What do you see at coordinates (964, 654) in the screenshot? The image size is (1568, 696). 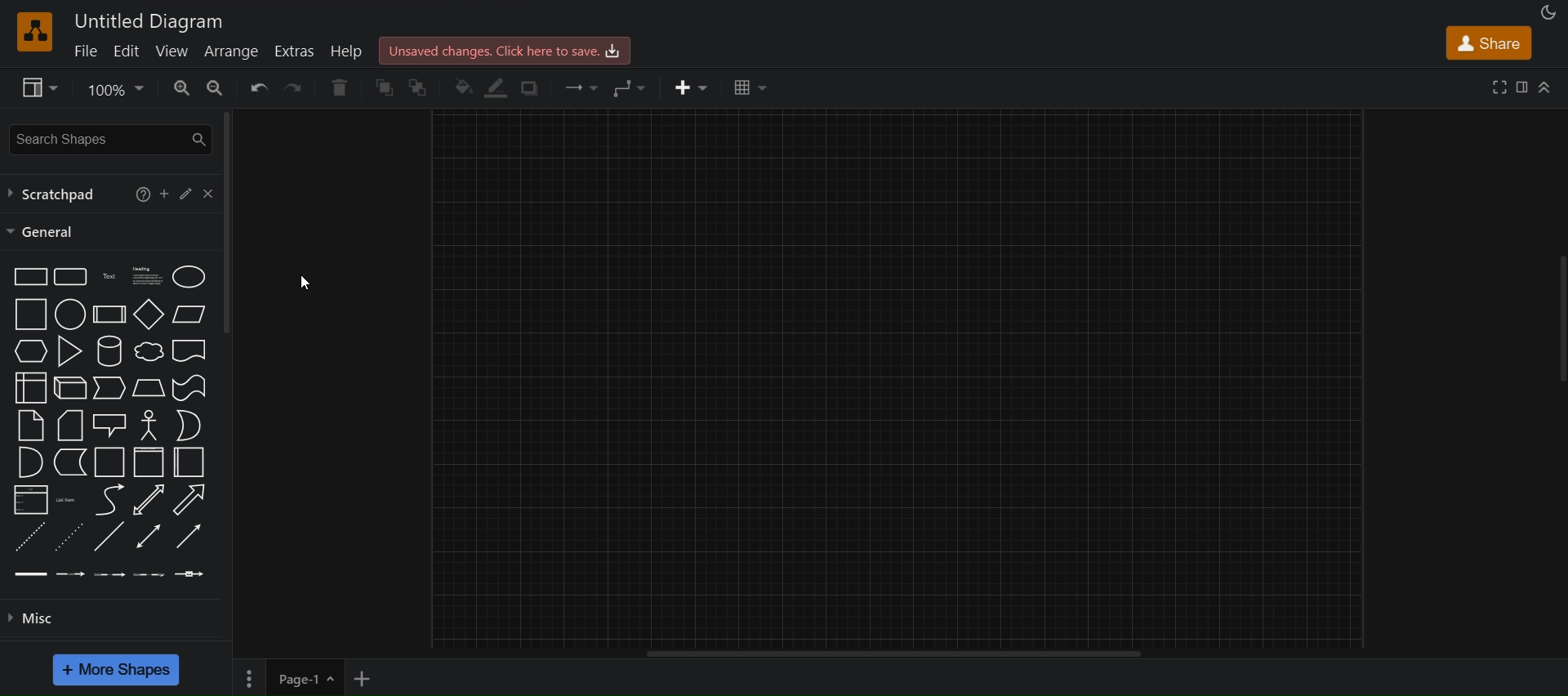 I see `vertical scroll bar` at bounding box center [964, 654].